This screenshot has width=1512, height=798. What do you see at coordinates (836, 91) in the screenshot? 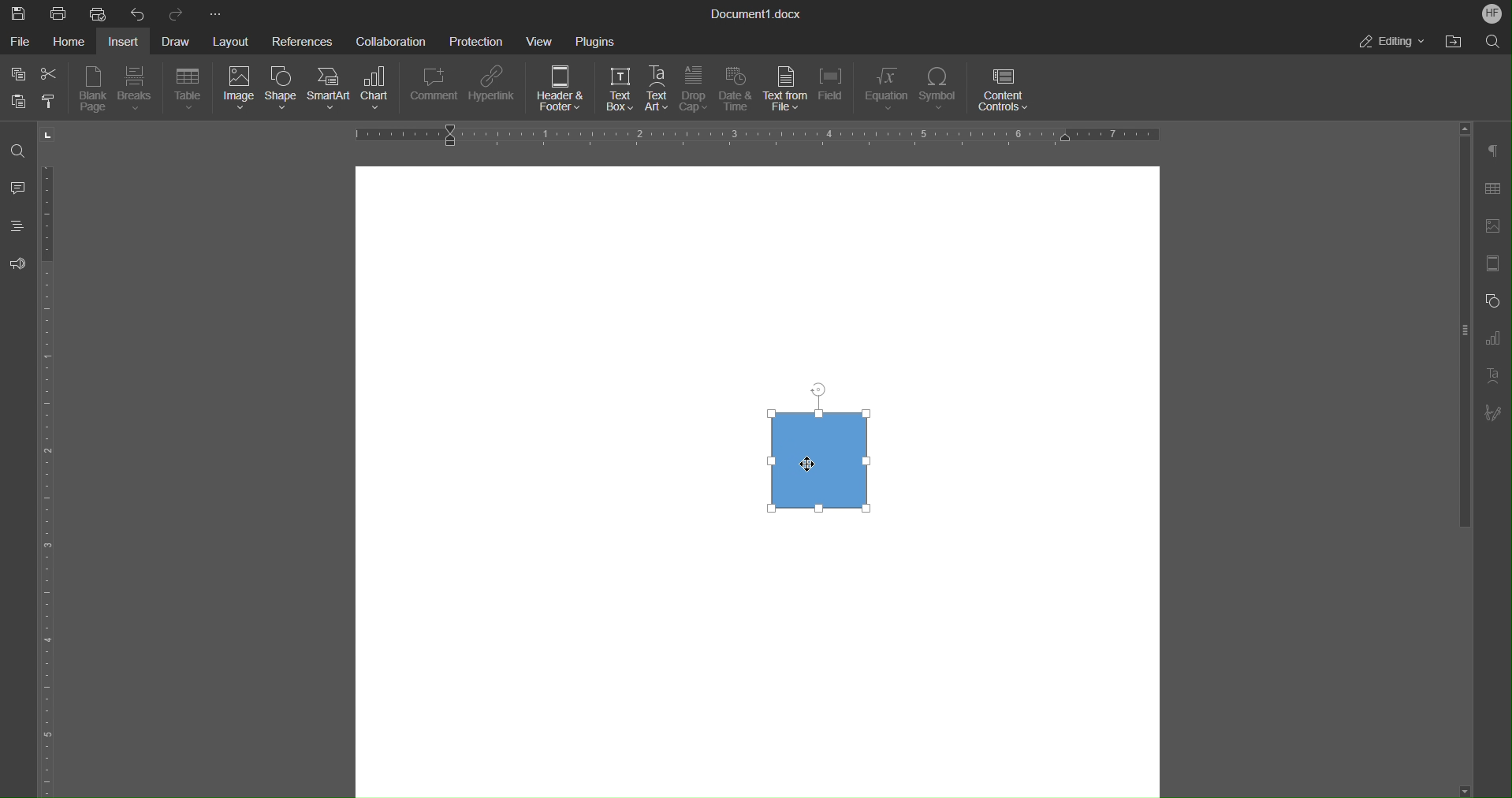
I see `Field` at bounding box center [836, 91].